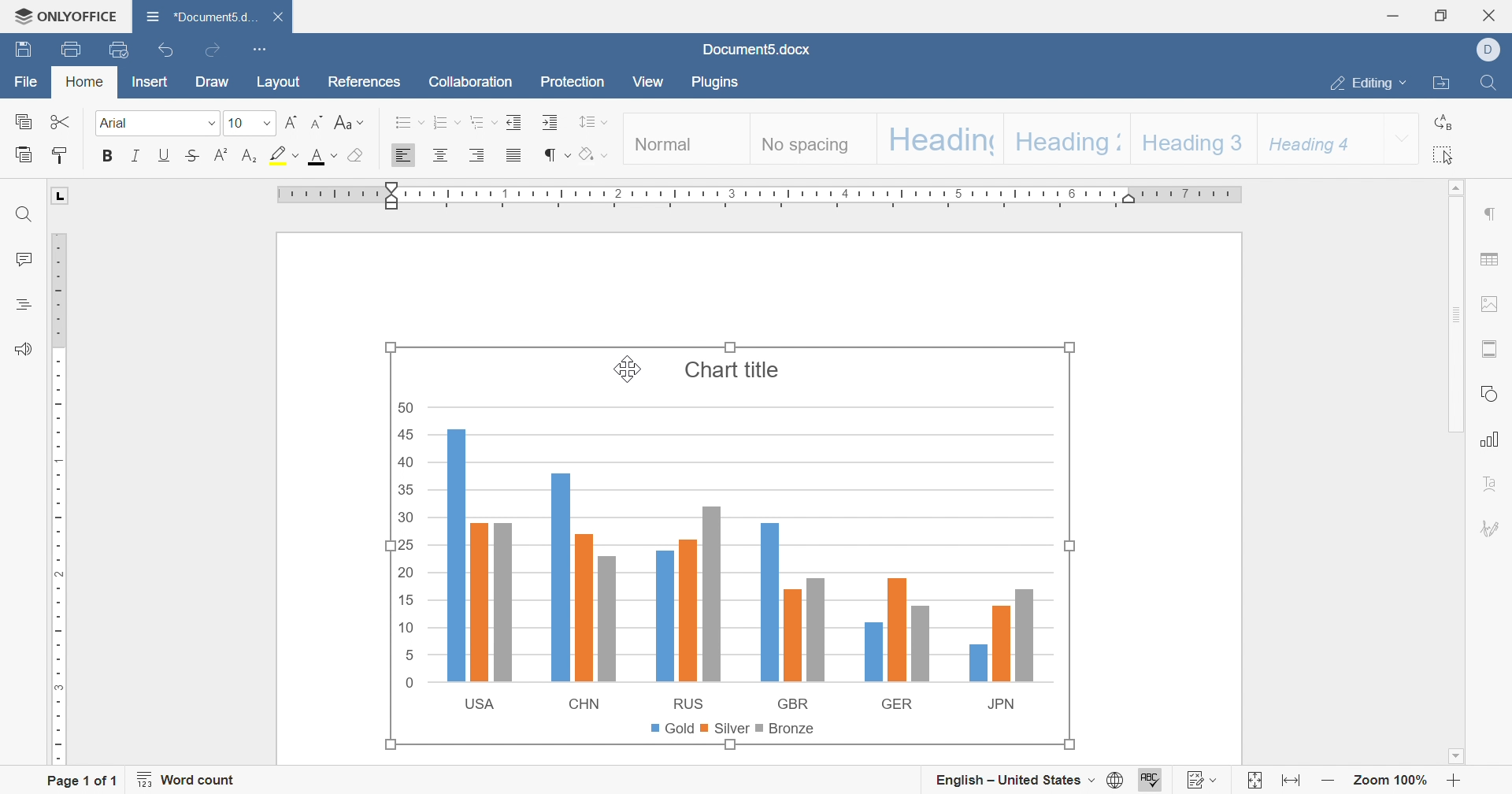  I want to click on restore down, so click(1440, 17).